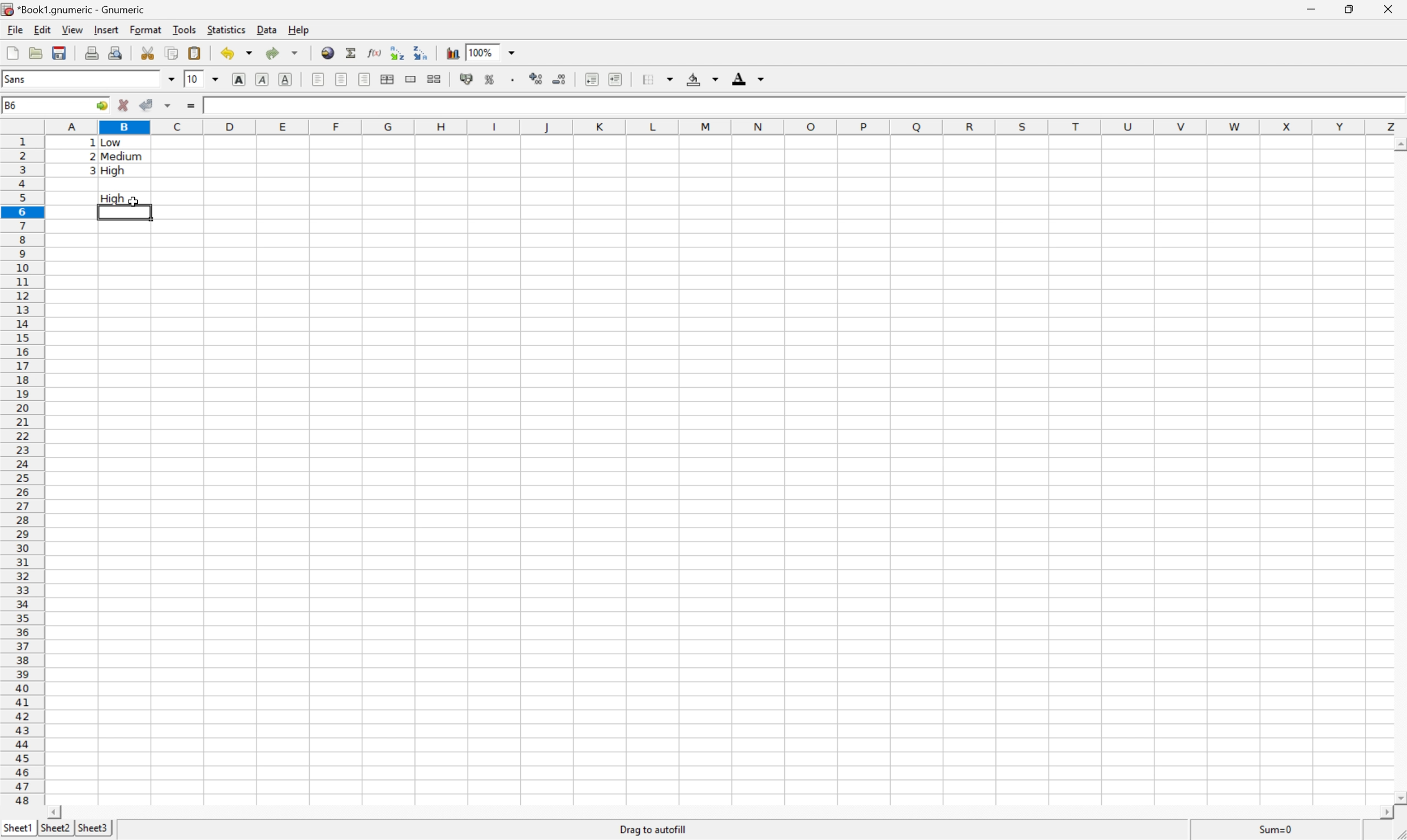 The height and width of the screenshot is (840, 1407). Describe the element at coordinates (95, 831) in the screenshot. I see `Sheet3` at that location.